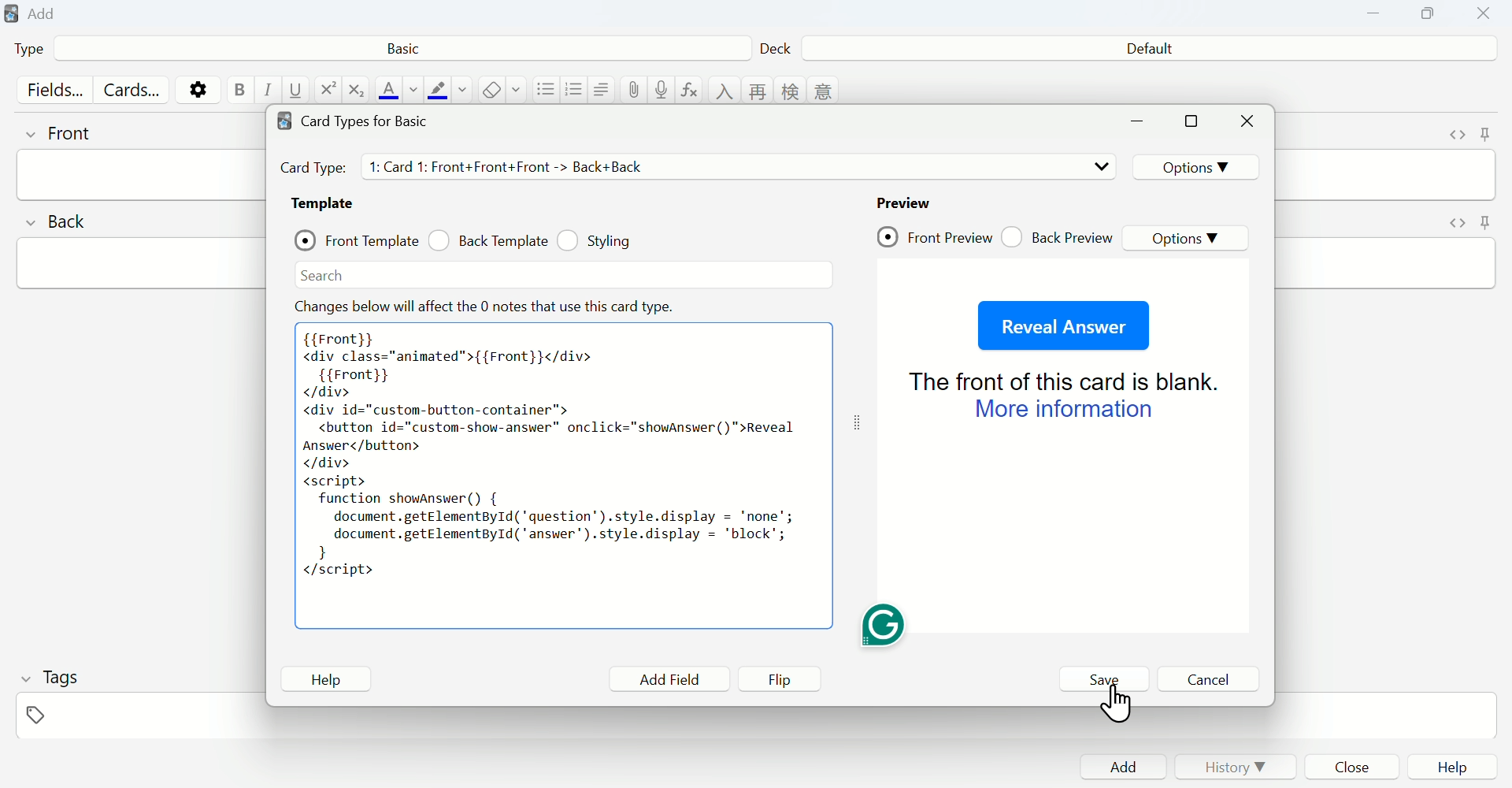 This screenshot has width=1512, height=788. I want to click on text highlight color, so click(438, 90).